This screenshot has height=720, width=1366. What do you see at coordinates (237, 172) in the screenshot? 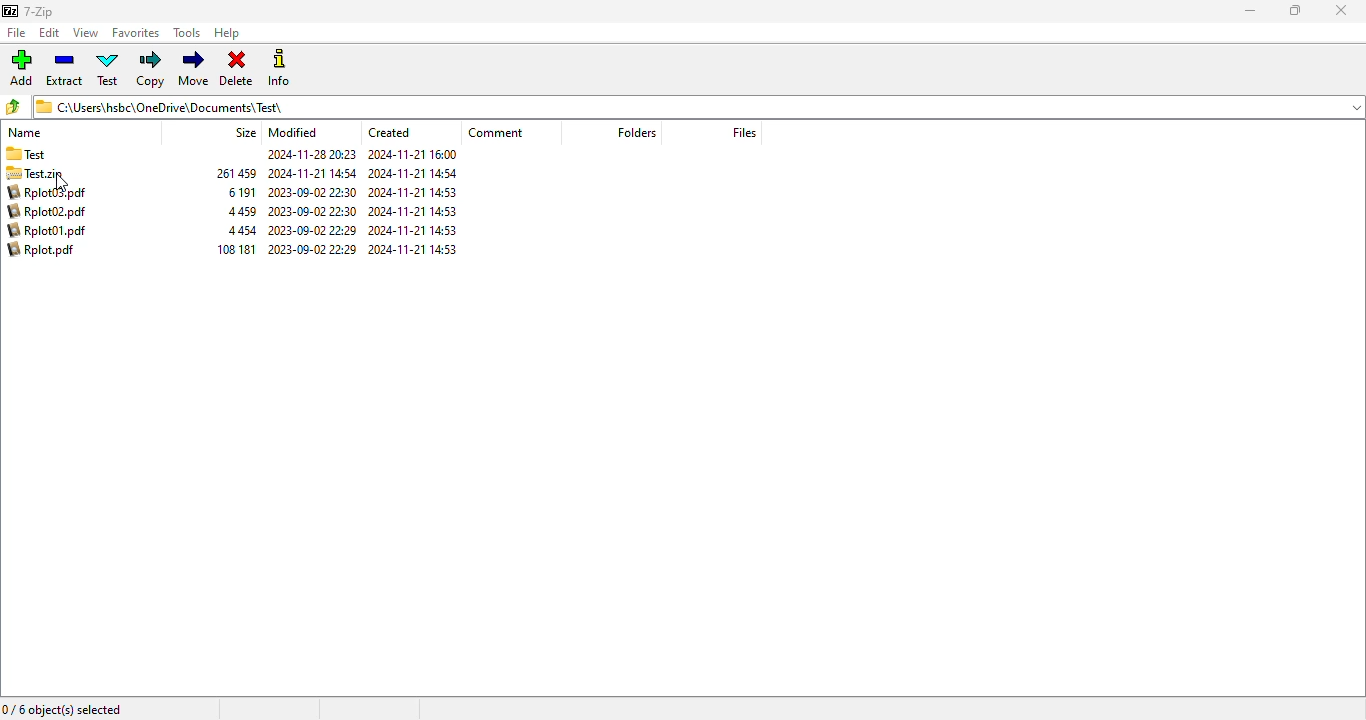
I see `261 459` at bounding box center [237, 172].